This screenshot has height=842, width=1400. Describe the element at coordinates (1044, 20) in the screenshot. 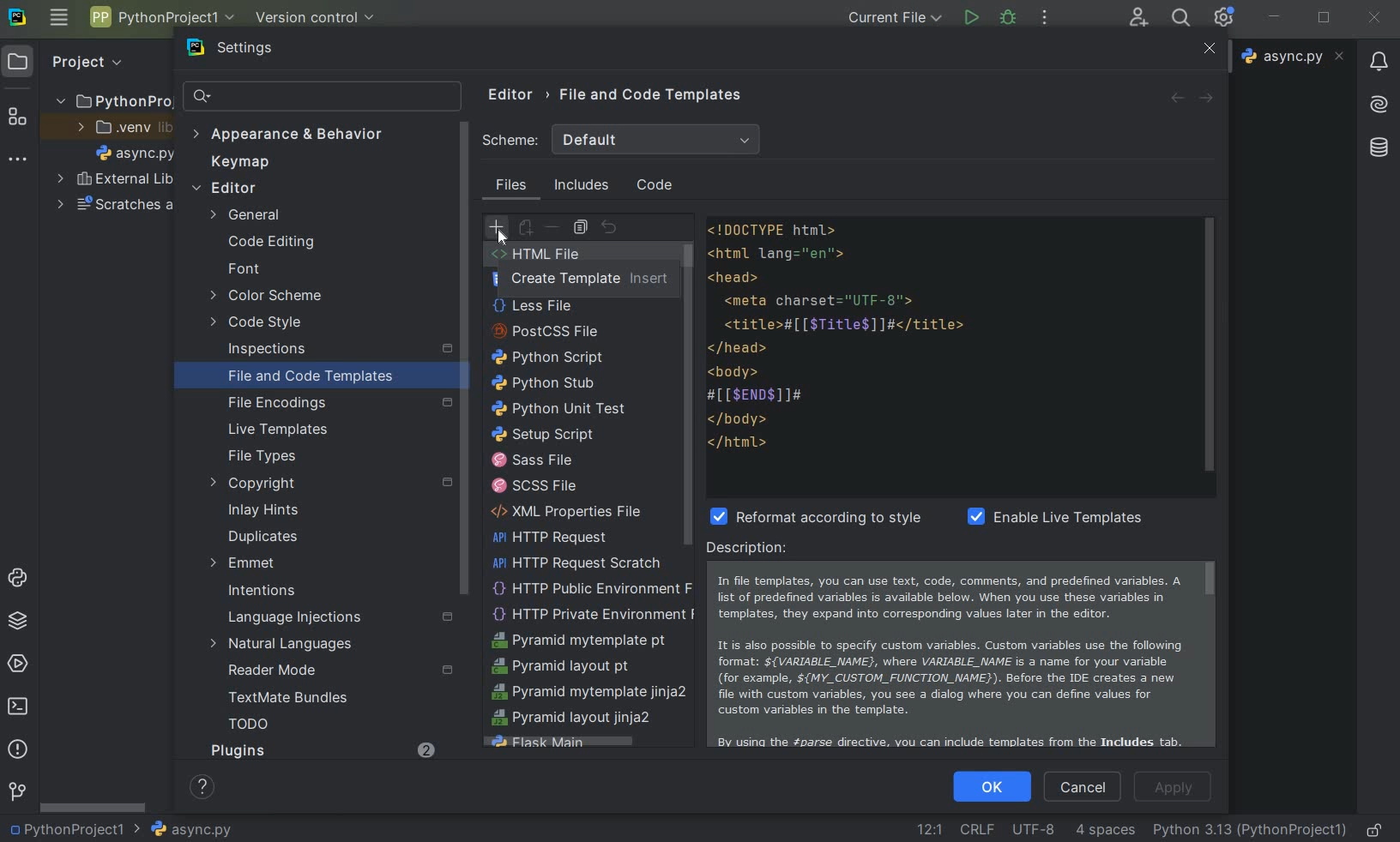

I see `more actions` at that location.